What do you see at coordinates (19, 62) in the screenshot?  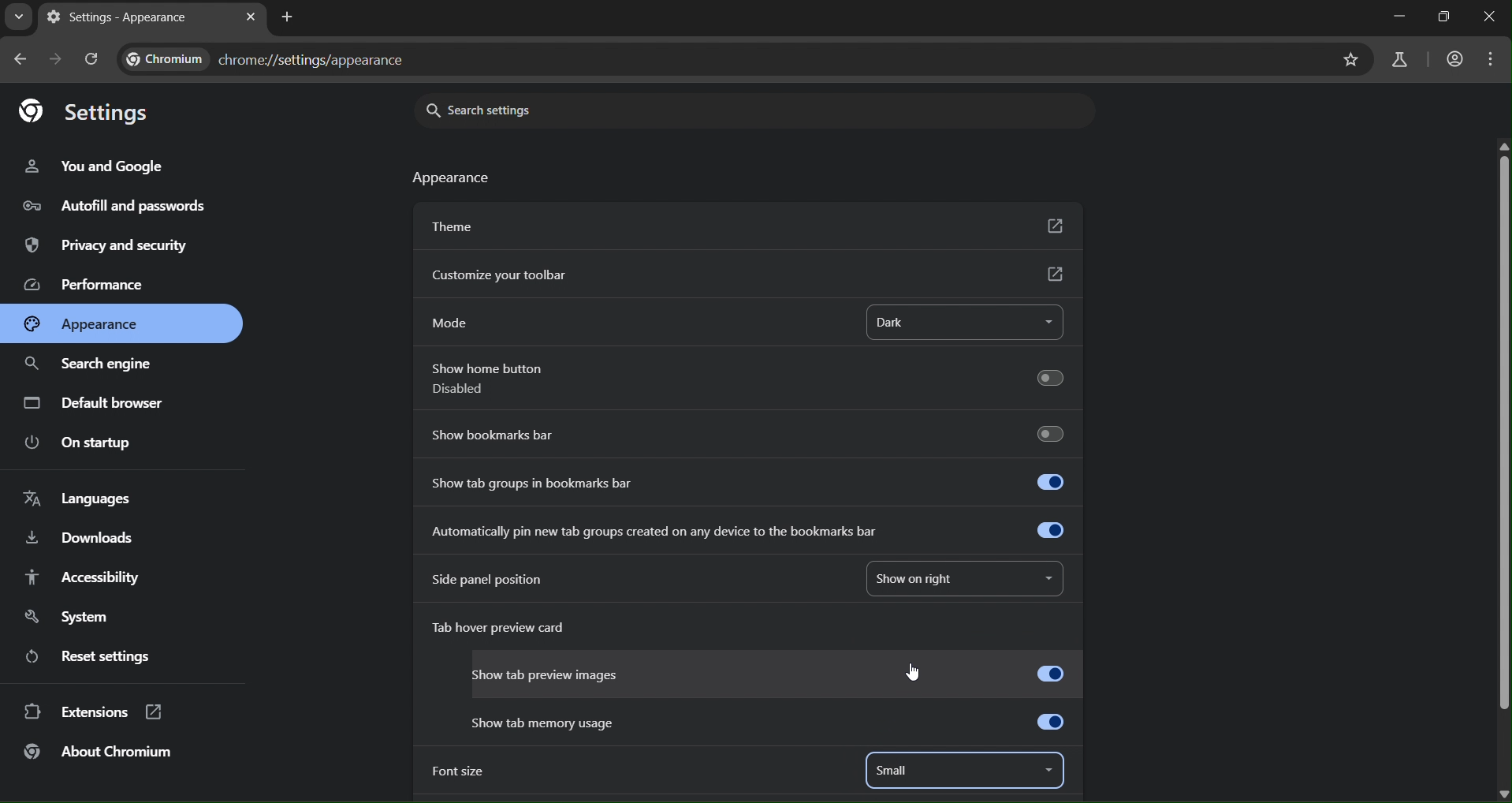 I see `go back one page` at bounding box center [19, 62].